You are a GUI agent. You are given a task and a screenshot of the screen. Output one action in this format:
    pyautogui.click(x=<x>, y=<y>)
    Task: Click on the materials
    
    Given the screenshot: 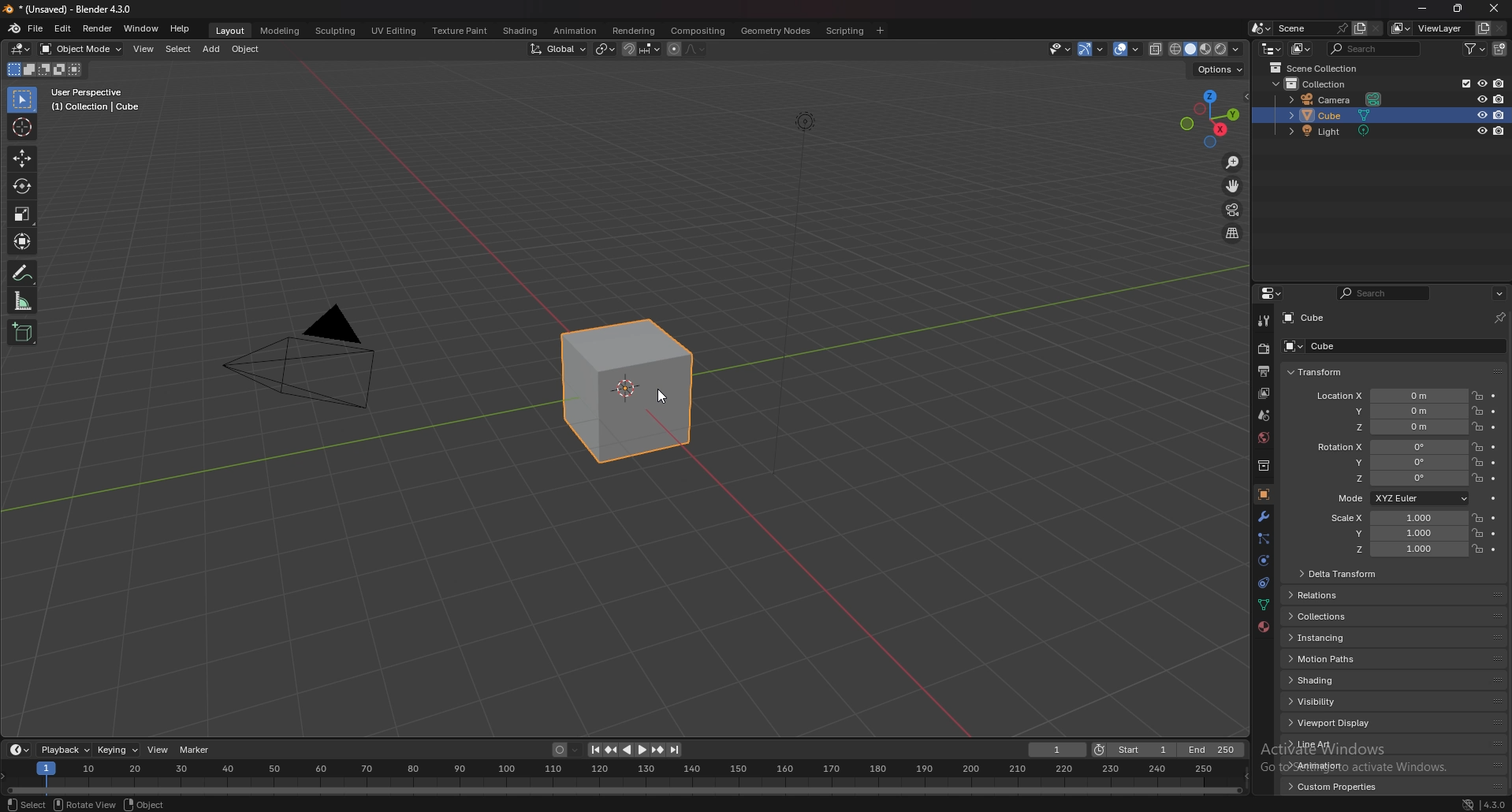 What is the action you would take?
    pyautogui.click(x=1264, y=627)
    